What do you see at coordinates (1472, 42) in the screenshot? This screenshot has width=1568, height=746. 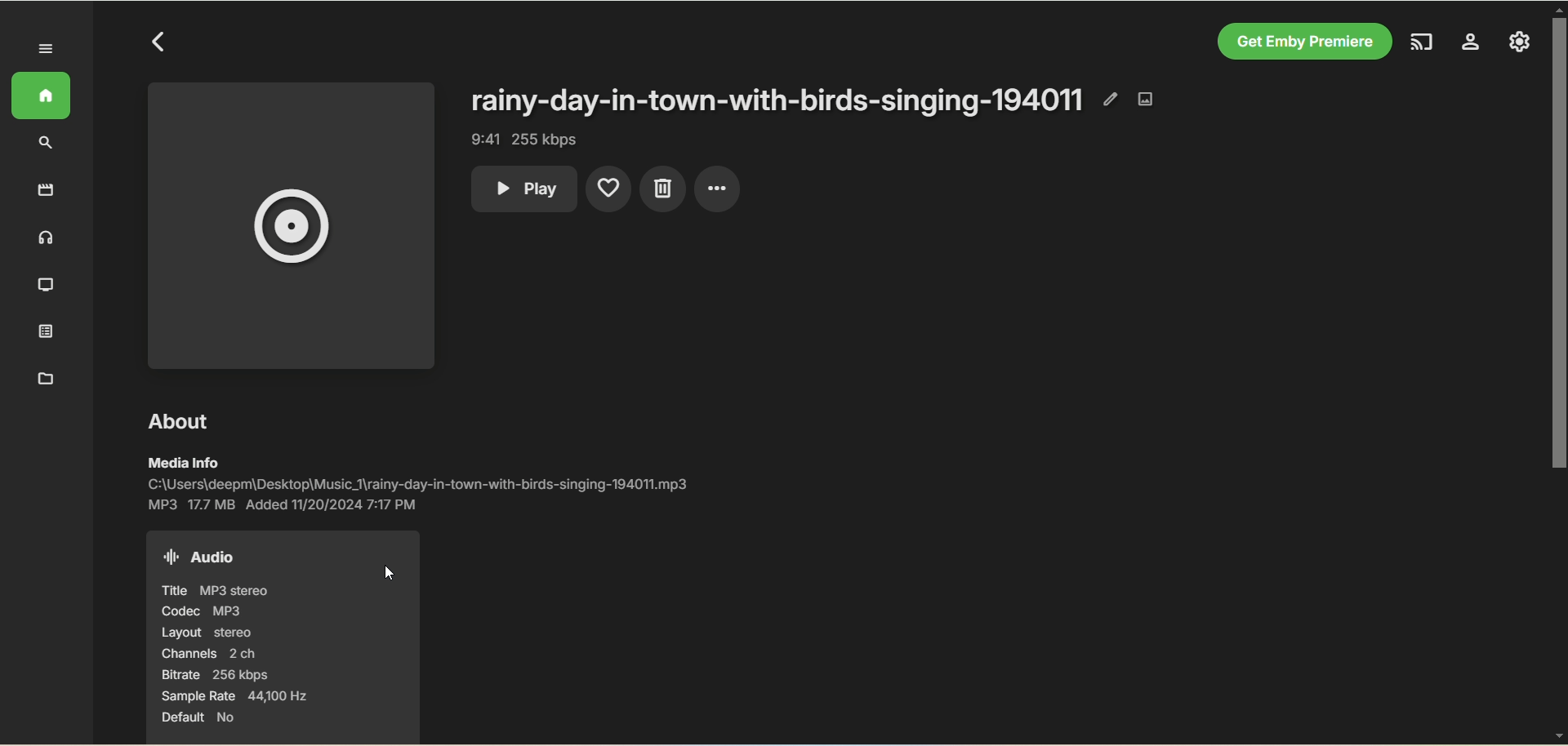 I see `manage emby server` at bounding box center [1472, 42].